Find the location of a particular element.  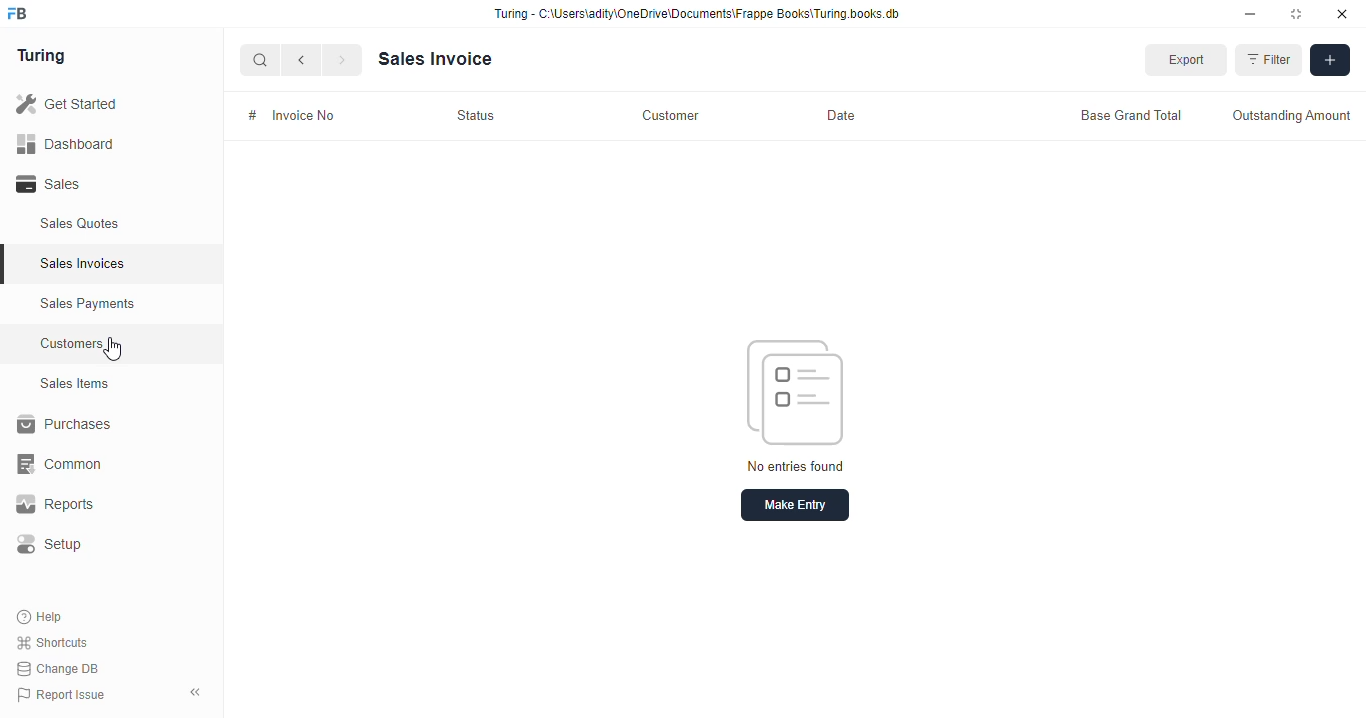

‘Common is located at coordinates (100, 464).